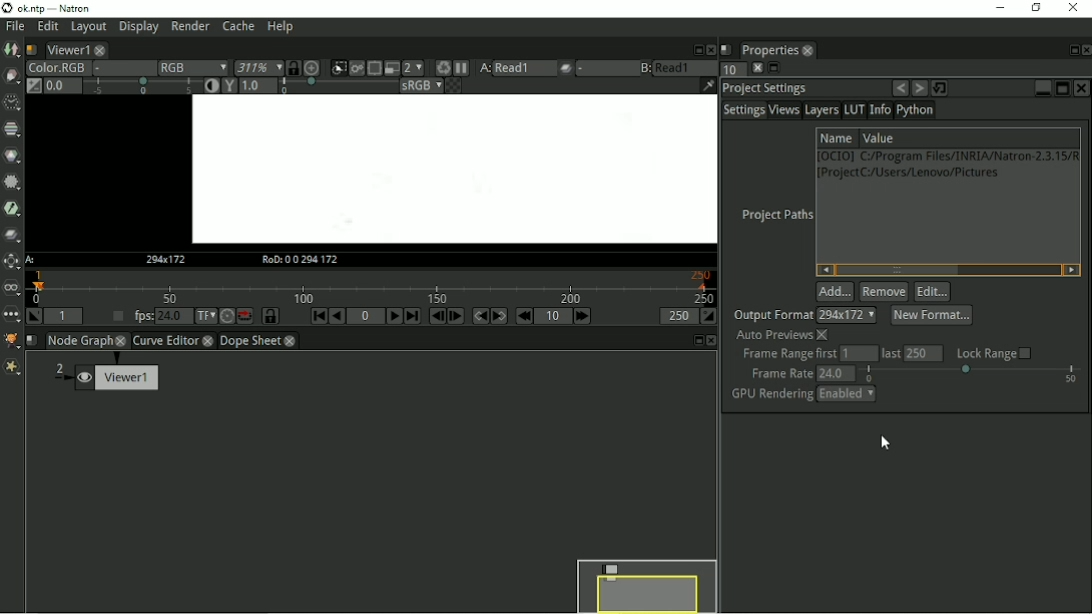 The height and width of the screenshot is (614, 1092). Describe the element at coordinates (461, 69) in the screenshot. I see `Pause updates` at that location.